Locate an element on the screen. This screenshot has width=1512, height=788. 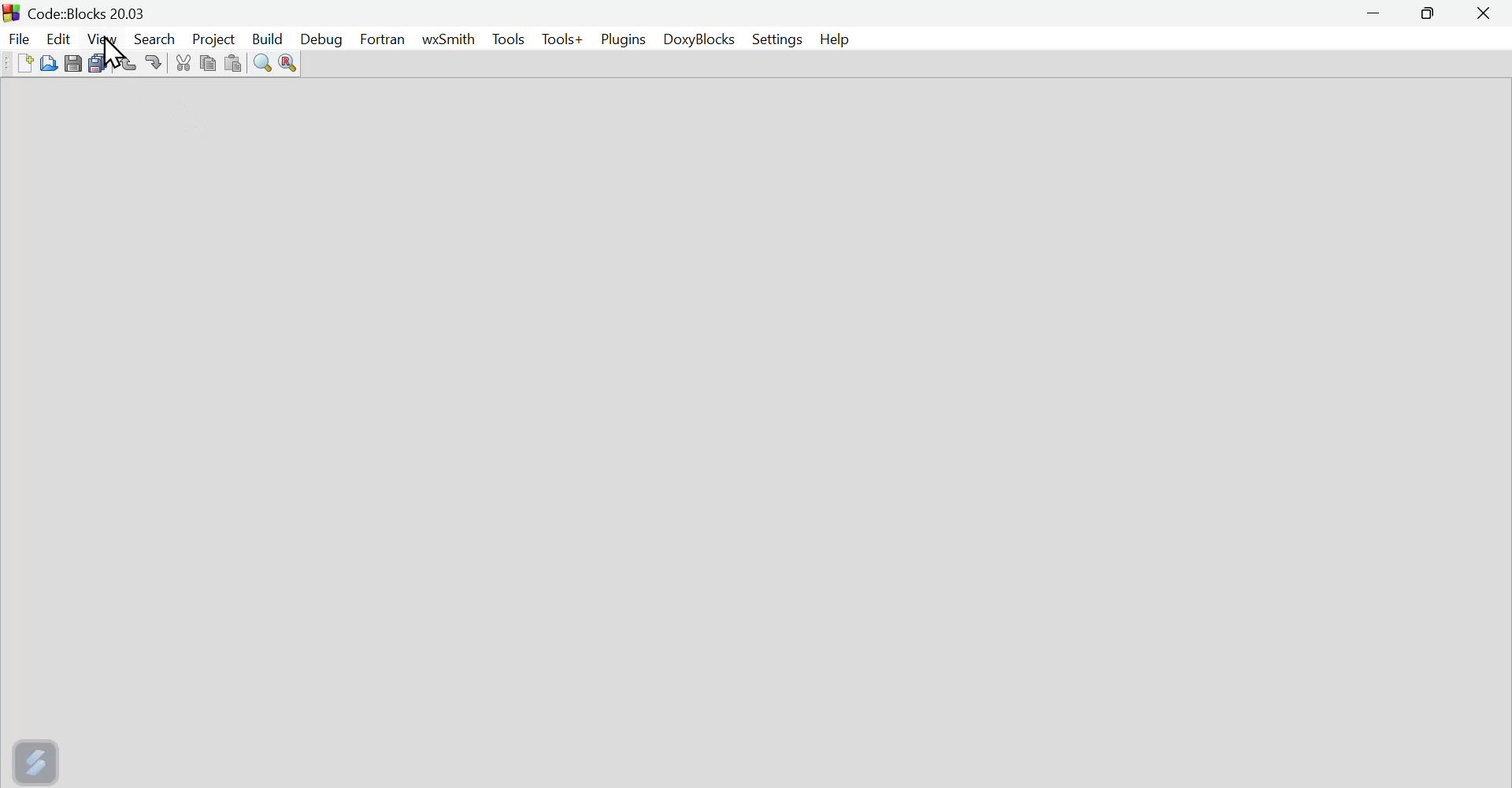
maximise is located at coordinates (1432, 16).